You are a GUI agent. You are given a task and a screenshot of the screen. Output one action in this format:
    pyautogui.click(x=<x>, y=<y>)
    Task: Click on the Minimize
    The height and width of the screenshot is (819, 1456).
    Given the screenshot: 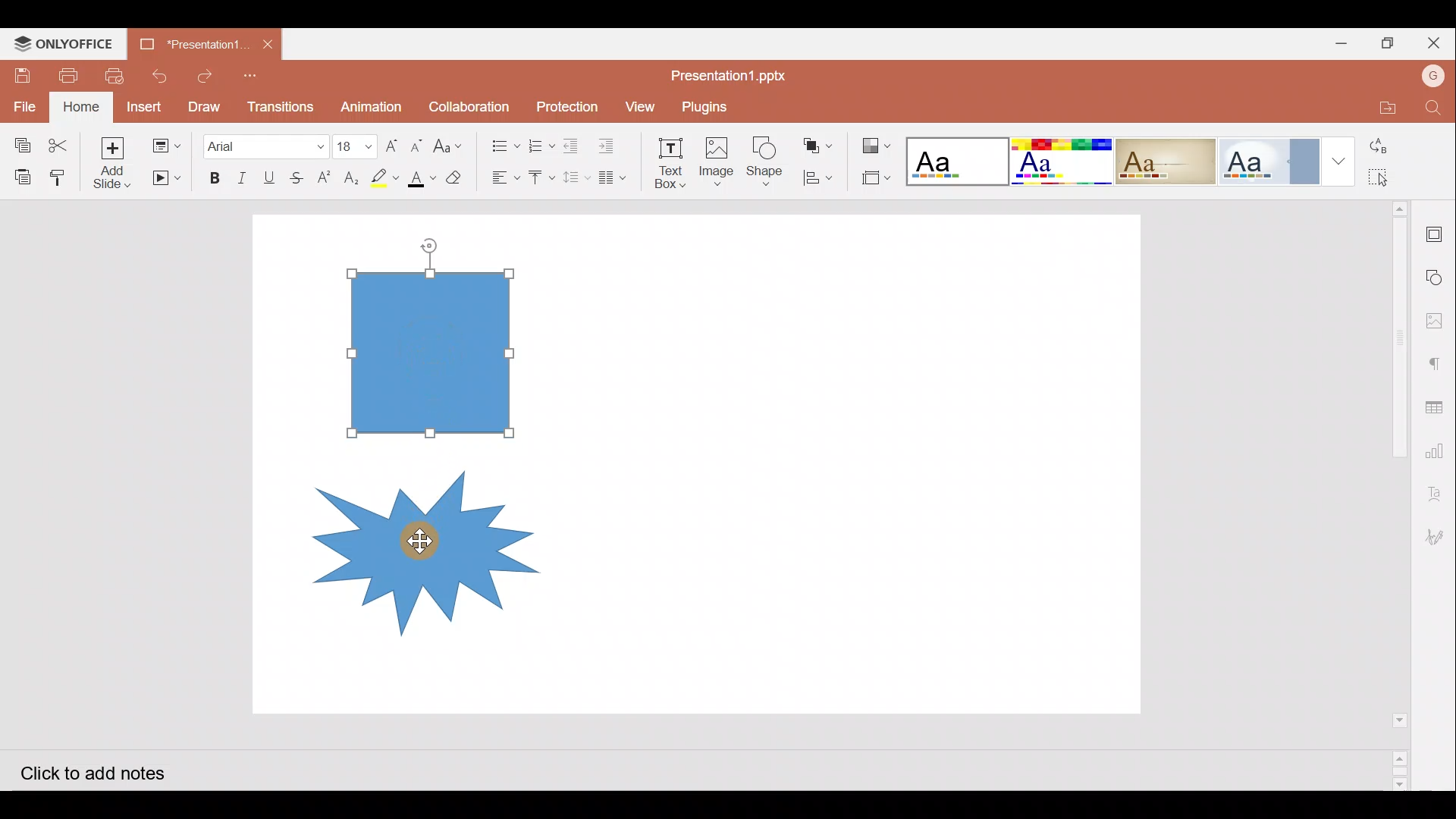 What is the action you would take?
    pyautogui.click(x=1338, y=44)
    